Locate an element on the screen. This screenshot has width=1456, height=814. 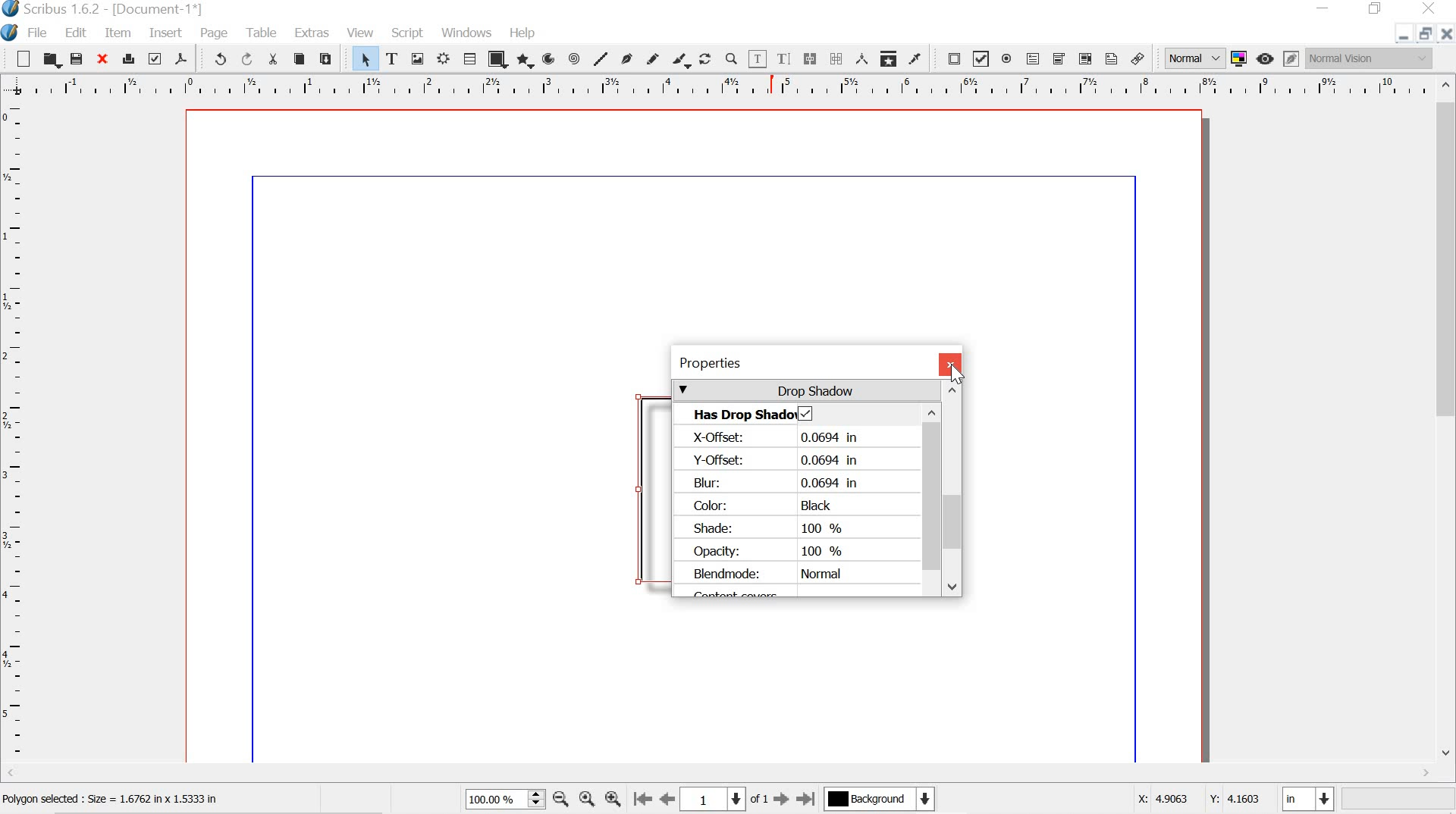
text annotation is located at coordinates (1111, 58).